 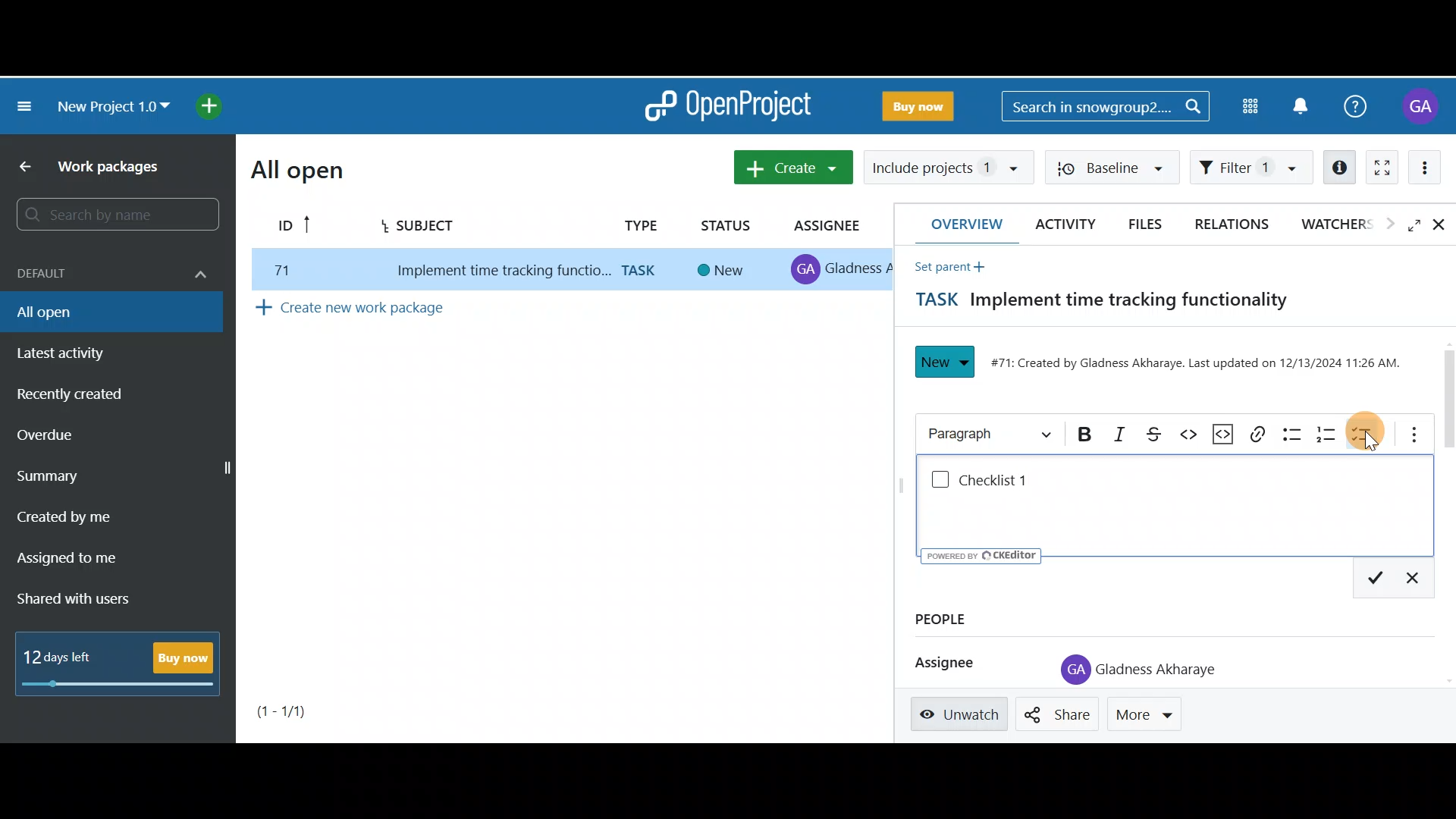 What do you see at coordinates (113, 215) in the screenshot?
I see `Search bar` at bounding box center [113, 215].